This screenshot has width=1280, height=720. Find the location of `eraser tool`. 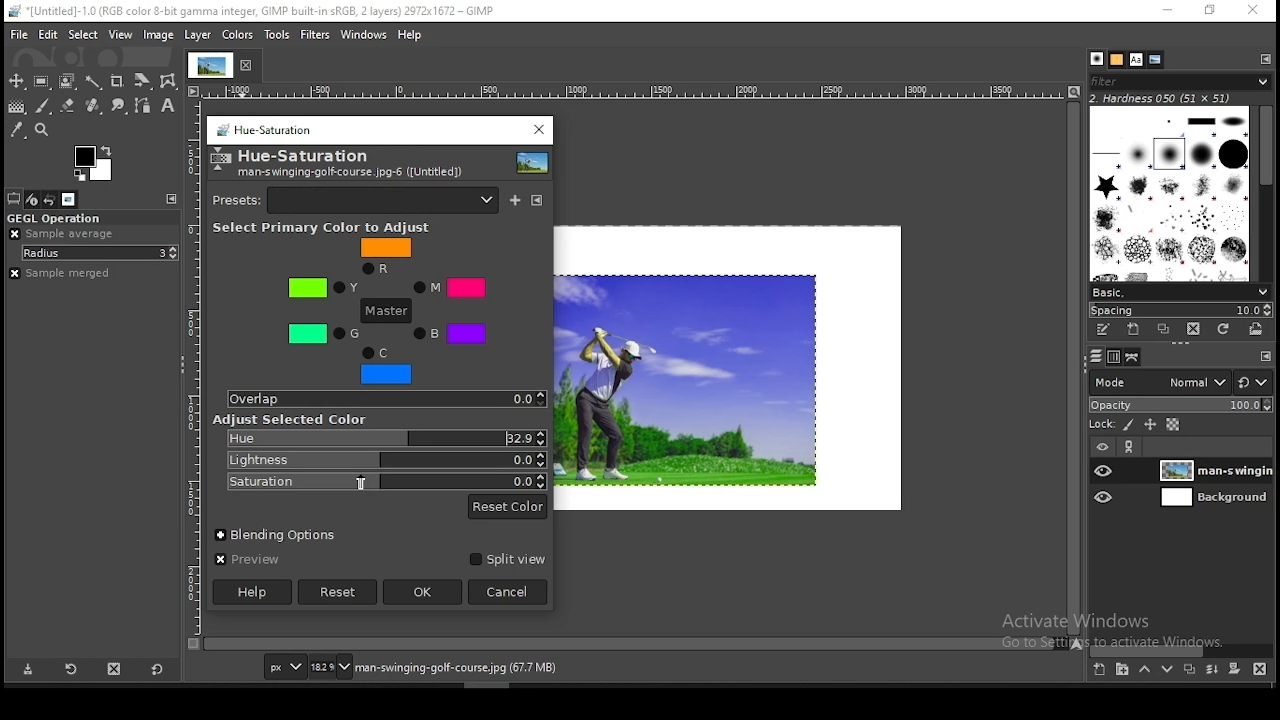

eraser tool is located at coordinates (95, 107).